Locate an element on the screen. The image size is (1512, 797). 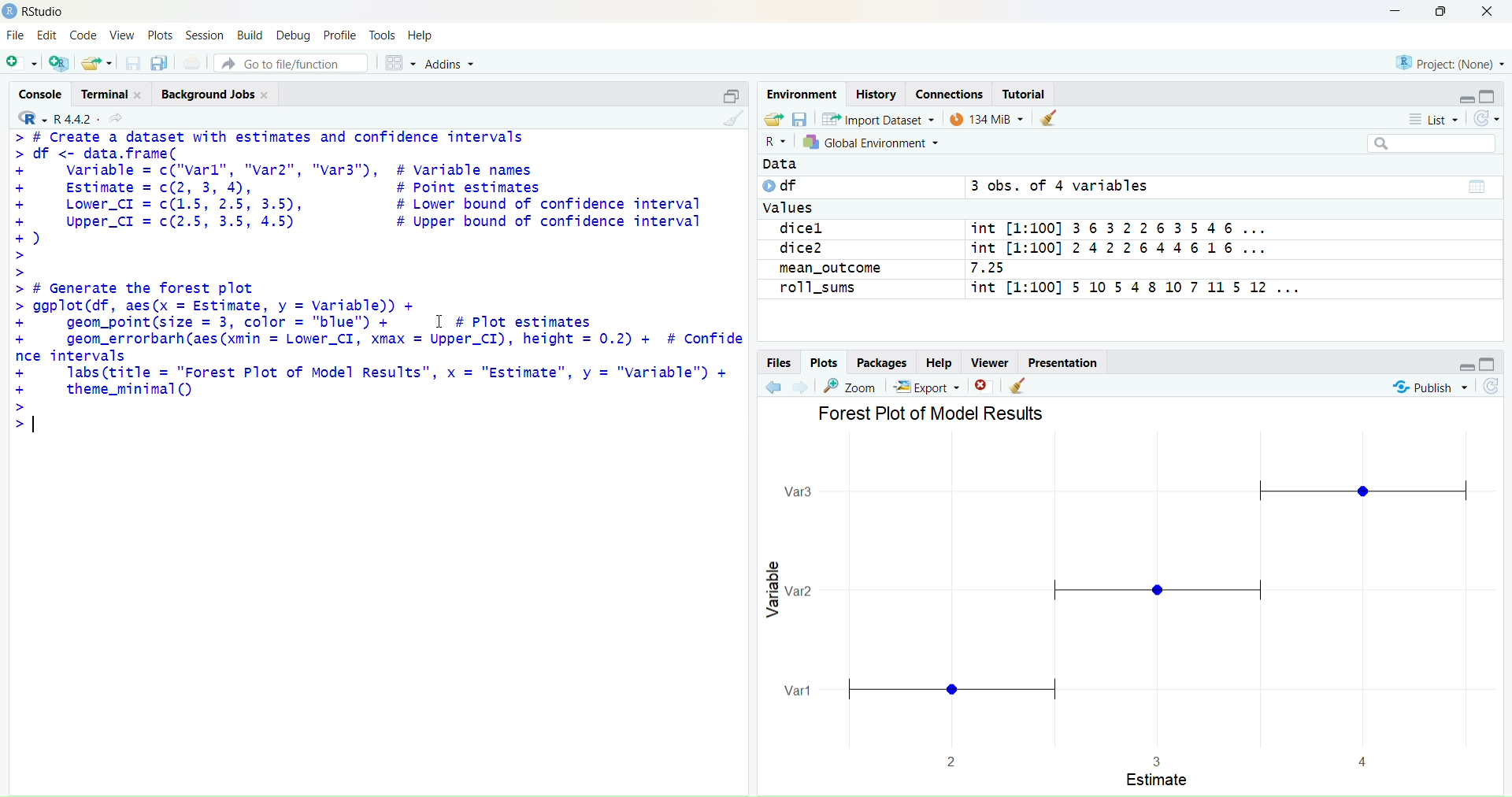
maximize is located at coordinates (1491, 365).